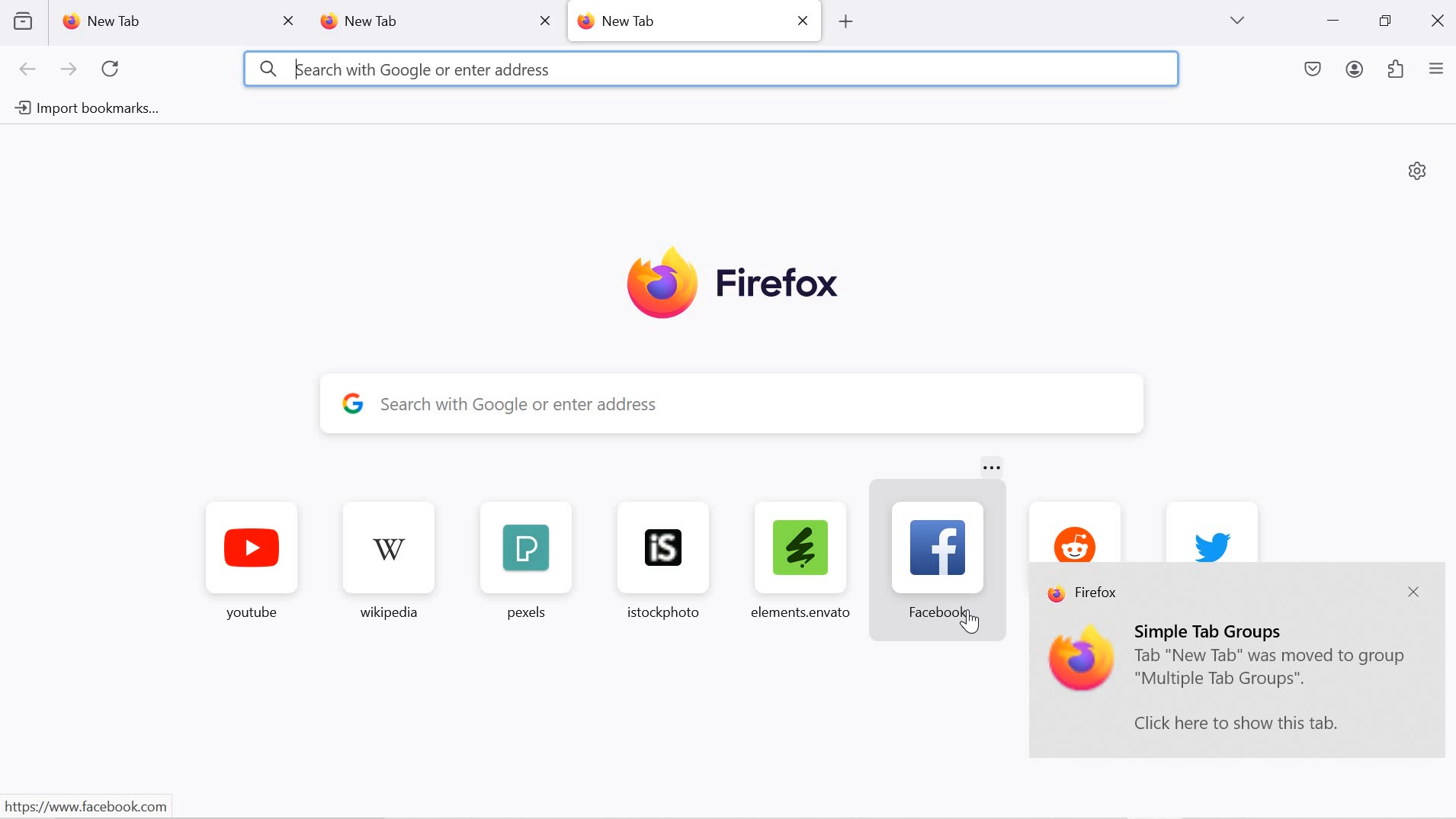  I want to click on new tab, so click(678, 20).